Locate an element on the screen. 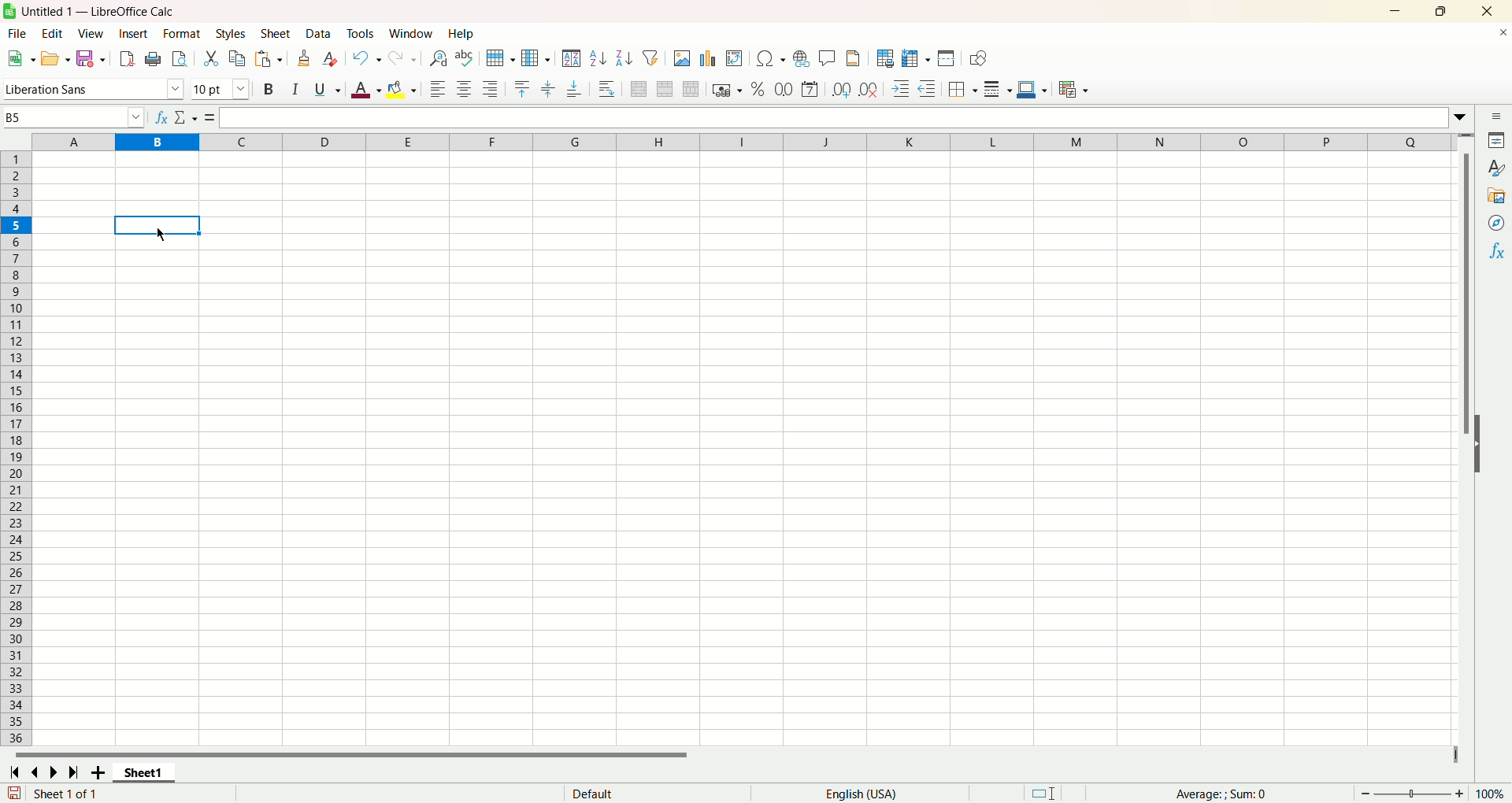  format is located at coordinates (182, 33).